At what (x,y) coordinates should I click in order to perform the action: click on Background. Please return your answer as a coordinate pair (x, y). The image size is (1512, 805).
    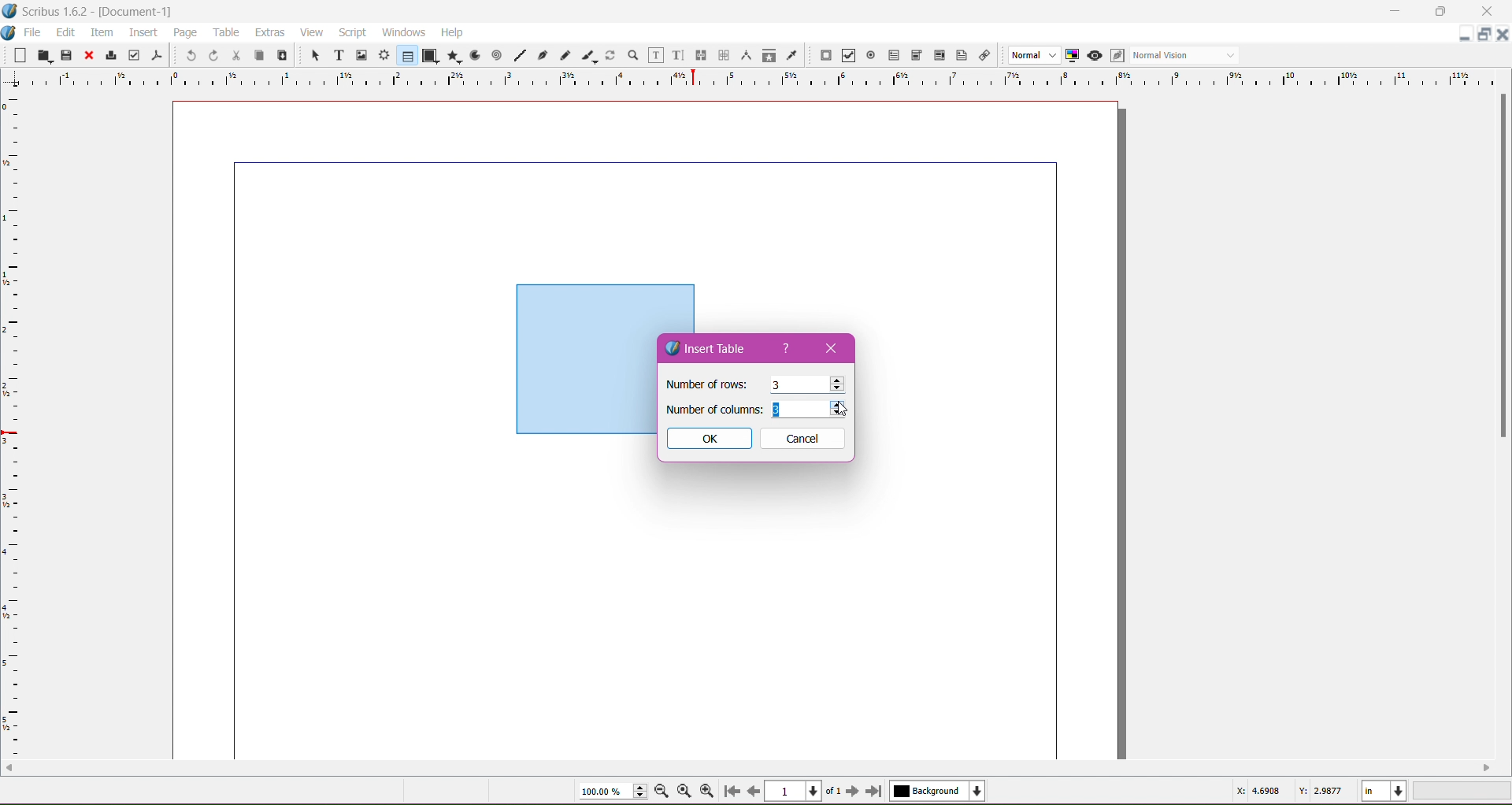
    Looking at the image, I should click on (941, 791).